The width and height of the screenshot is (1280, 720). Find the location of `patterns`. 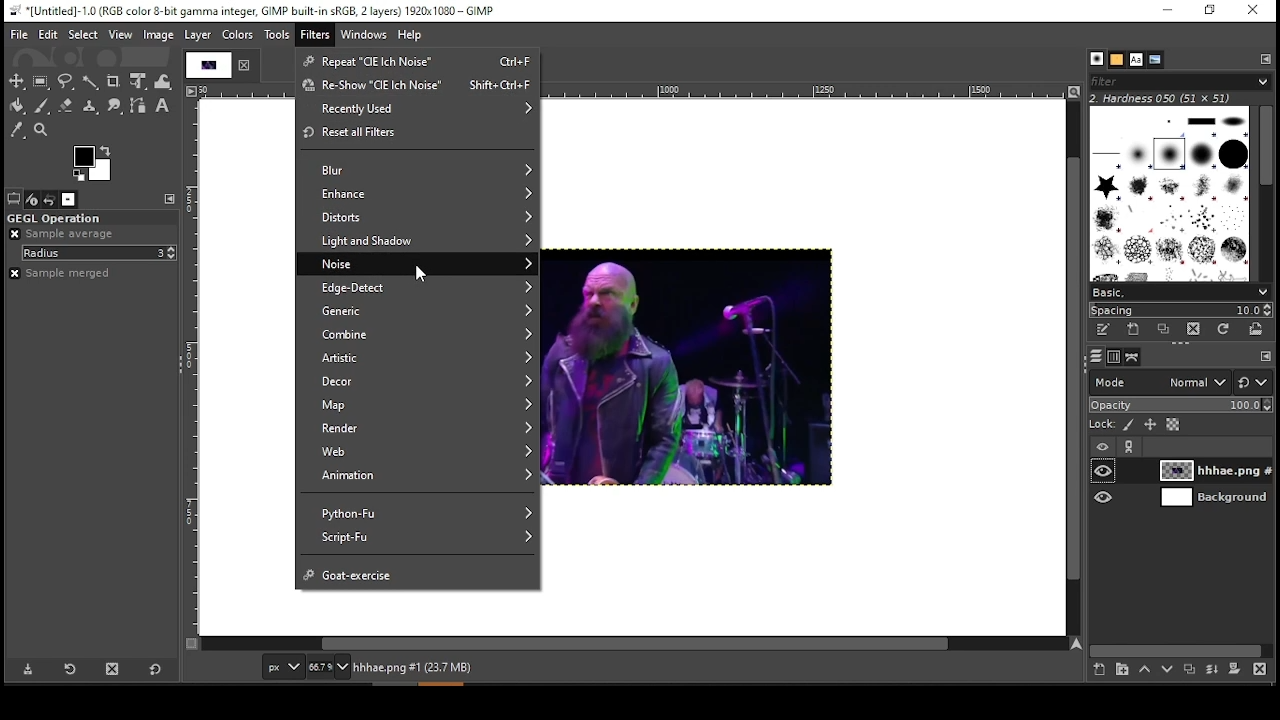

patterns is located at coordinates (1117, 60).